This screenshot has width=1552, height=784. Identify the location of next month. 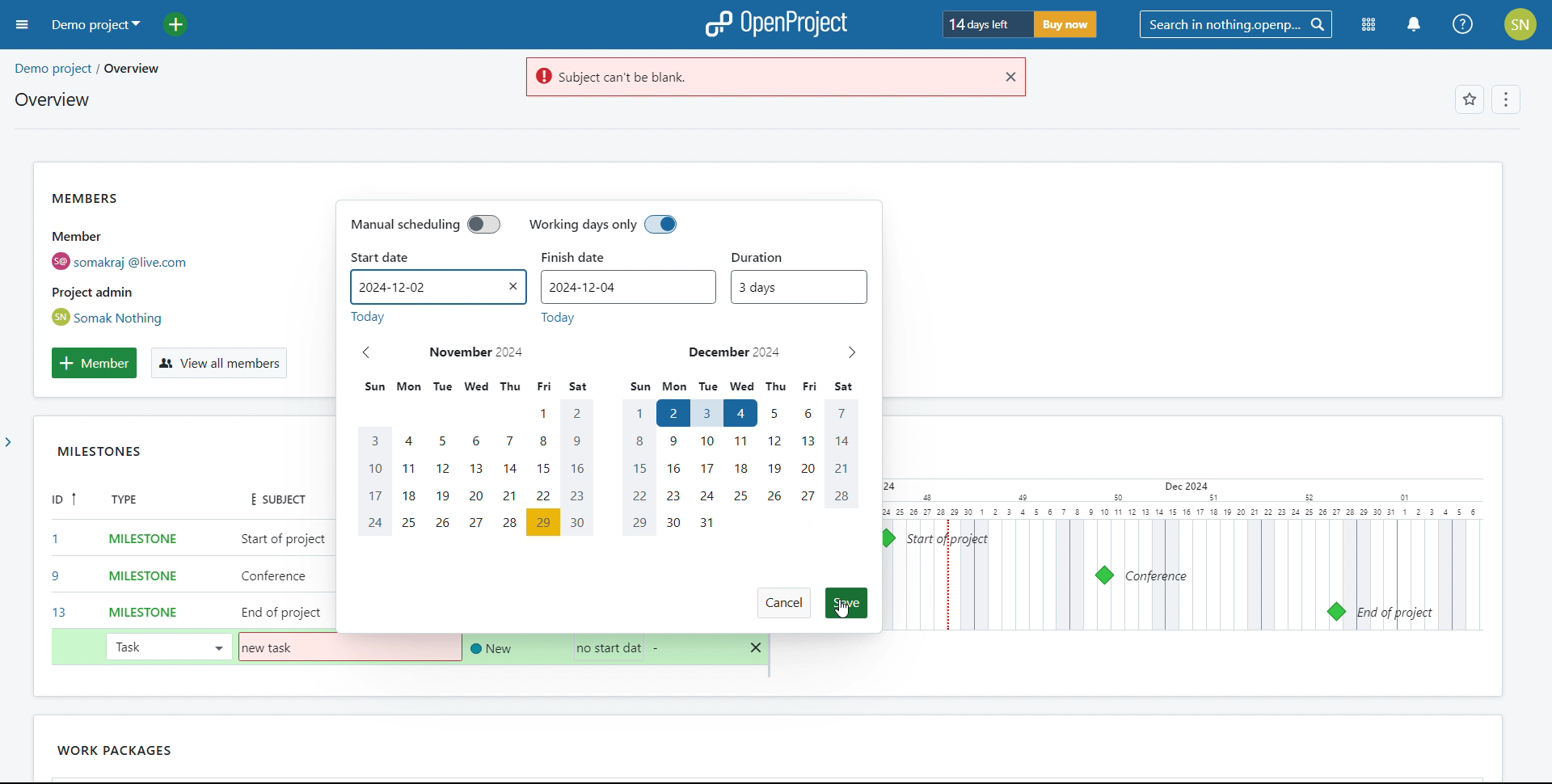
(851, 353).